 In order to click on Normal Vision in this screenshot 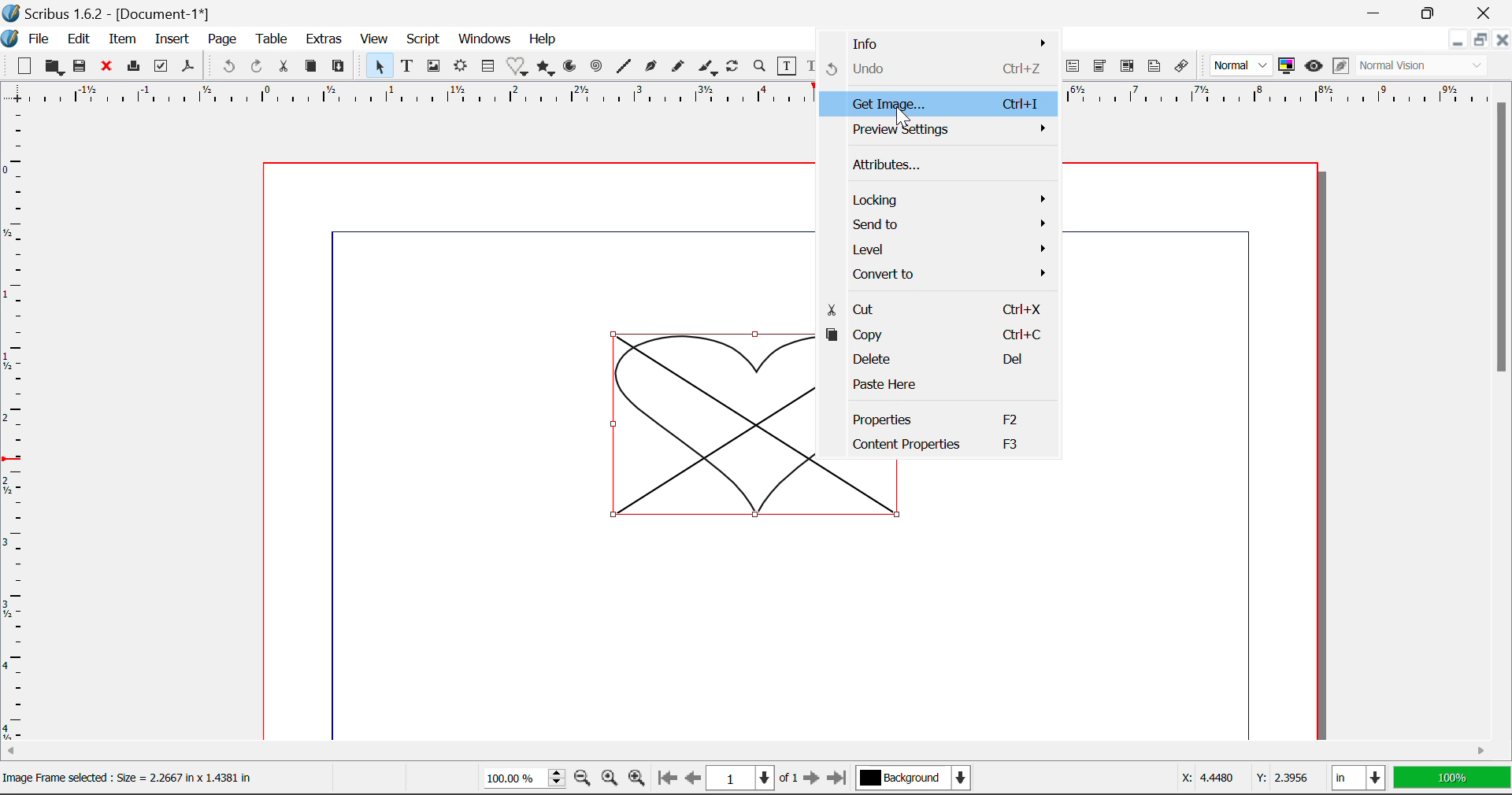, I will do `click(1424, 67)`.